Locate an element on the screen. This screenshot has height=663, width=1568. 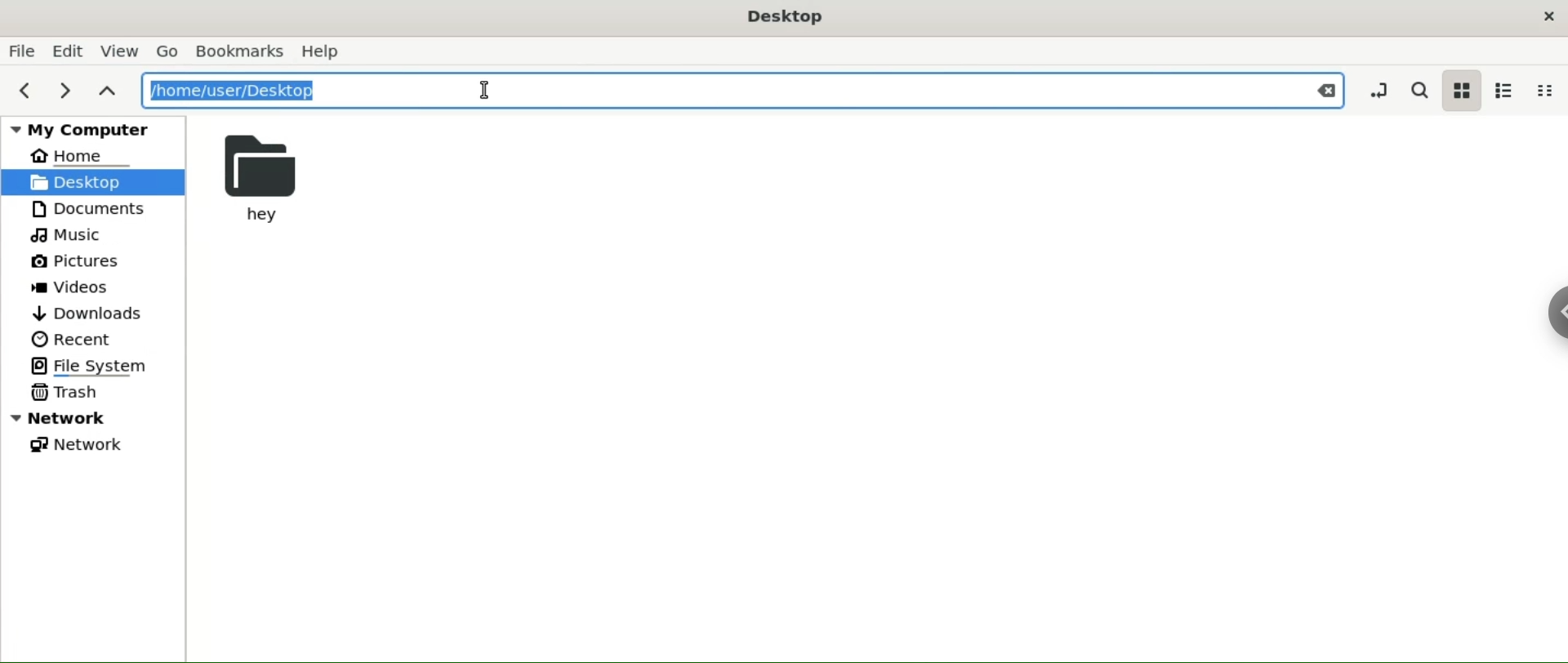
icon view is located at coordinates (1461, 90).